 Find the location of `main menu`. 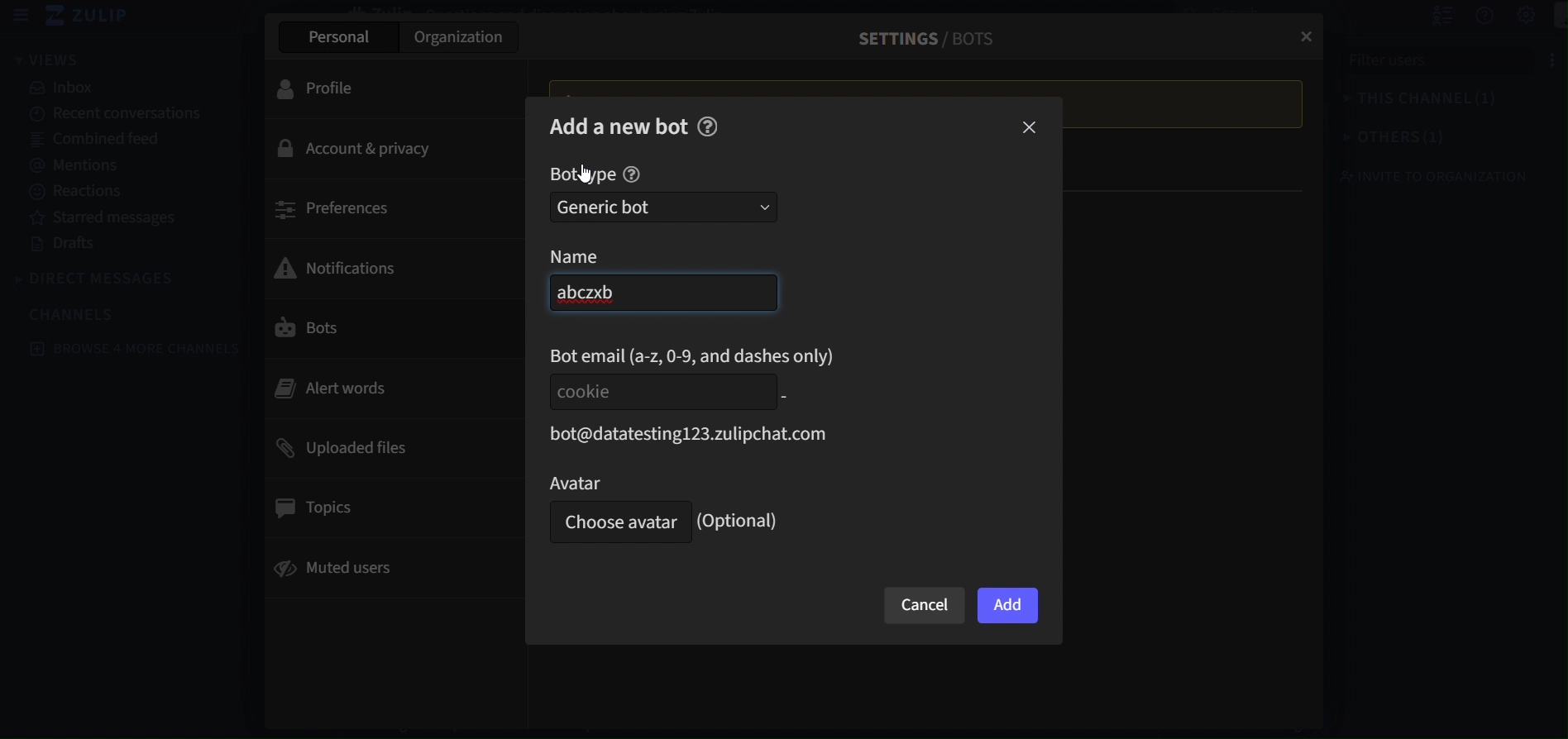

main menu is located at coordinates (1549, 17).